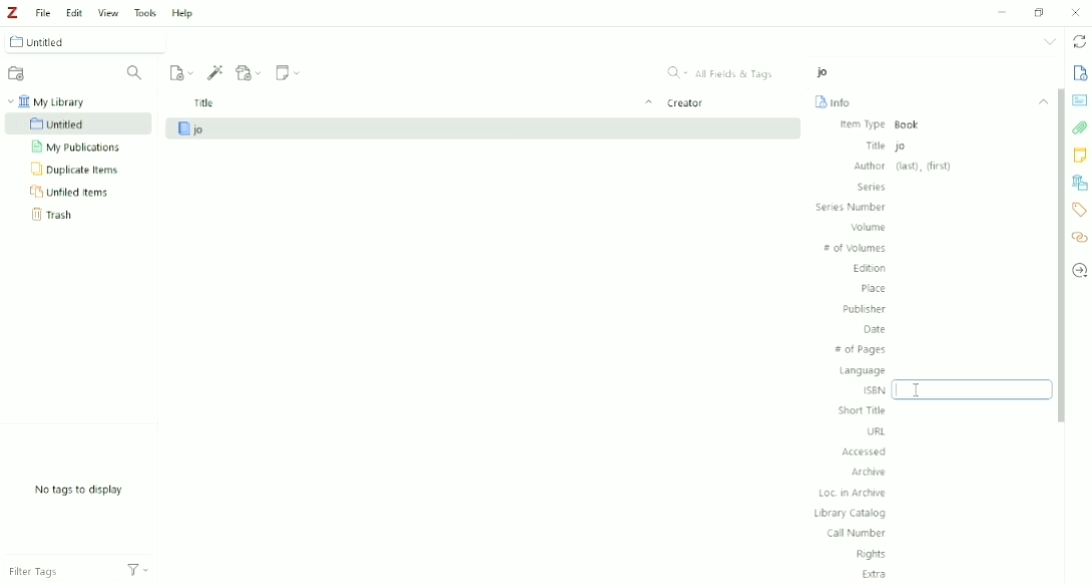 This screenshot has width=1092, height=584. I want to click on Related, so click(1080, 239).